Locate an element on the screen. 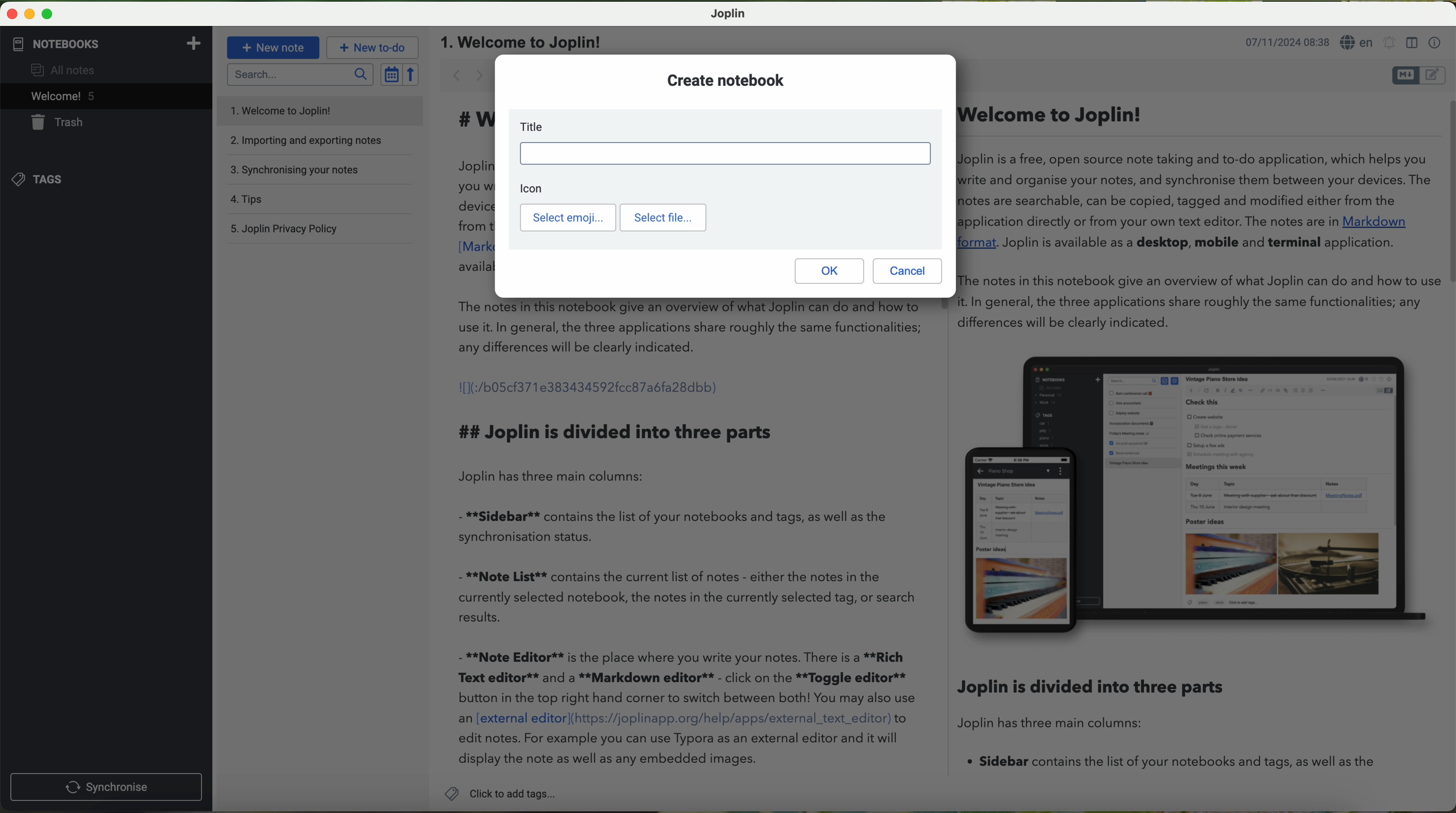 This screenshot has height=813, width=1456. search bar is located at coordinates (297, 75).